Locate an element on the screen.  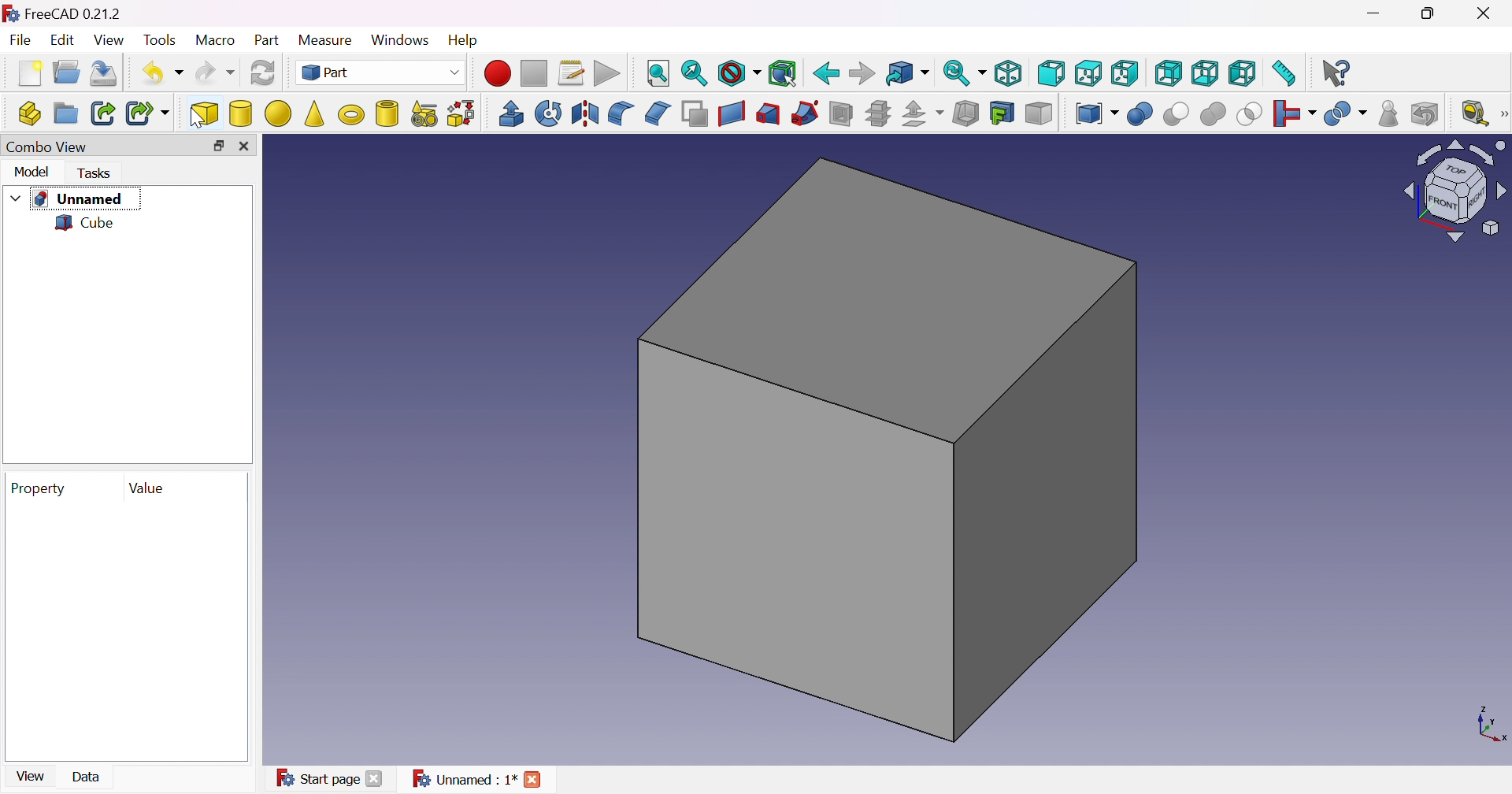
Check geometry is located at coordinates (1389, 114).